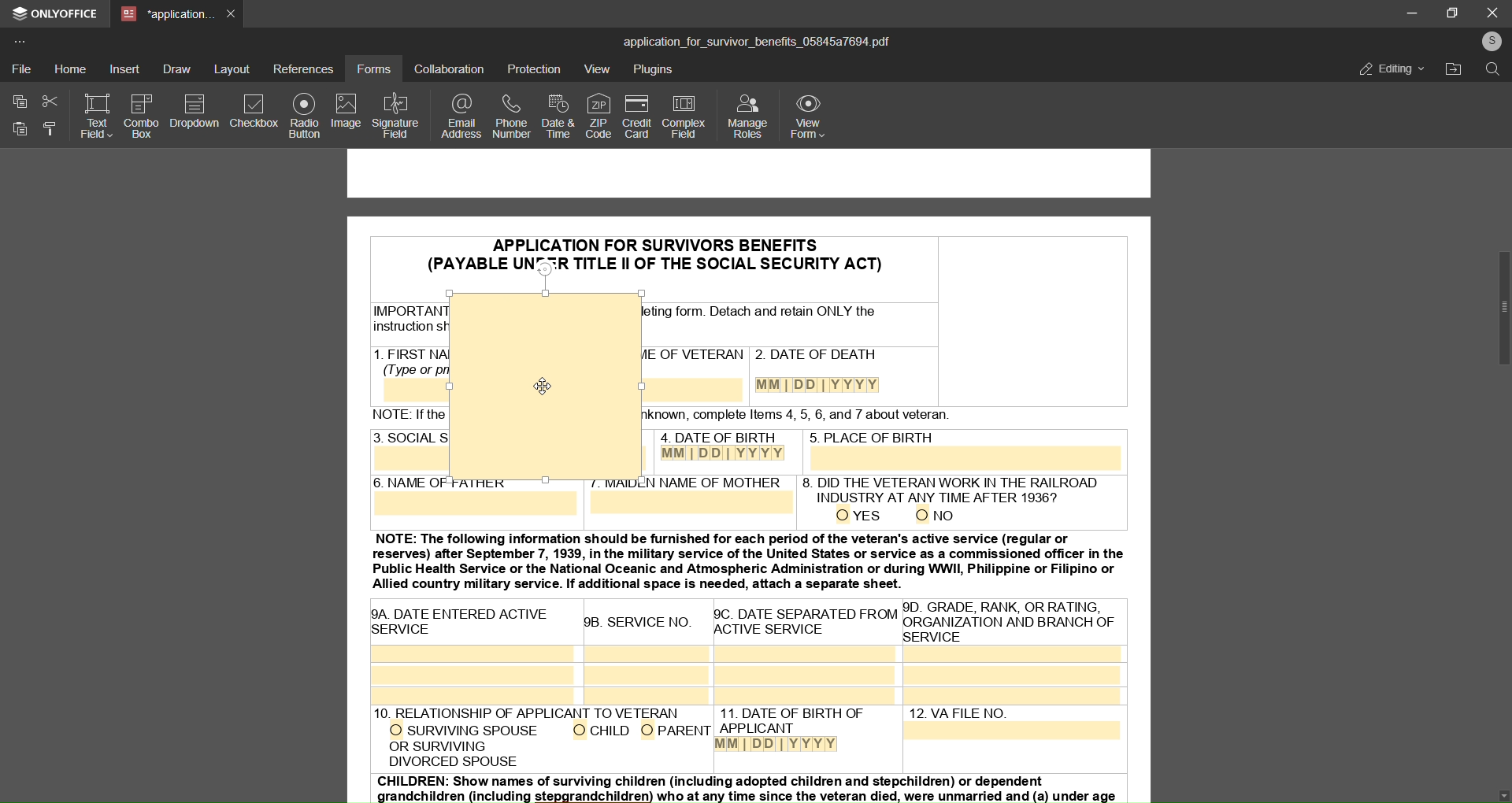 This screenshot has height=803, width=1512. What do you see at coordinates (1455, 70) in the screenshot?
I see `open file` at bounding box center [1455, 70].